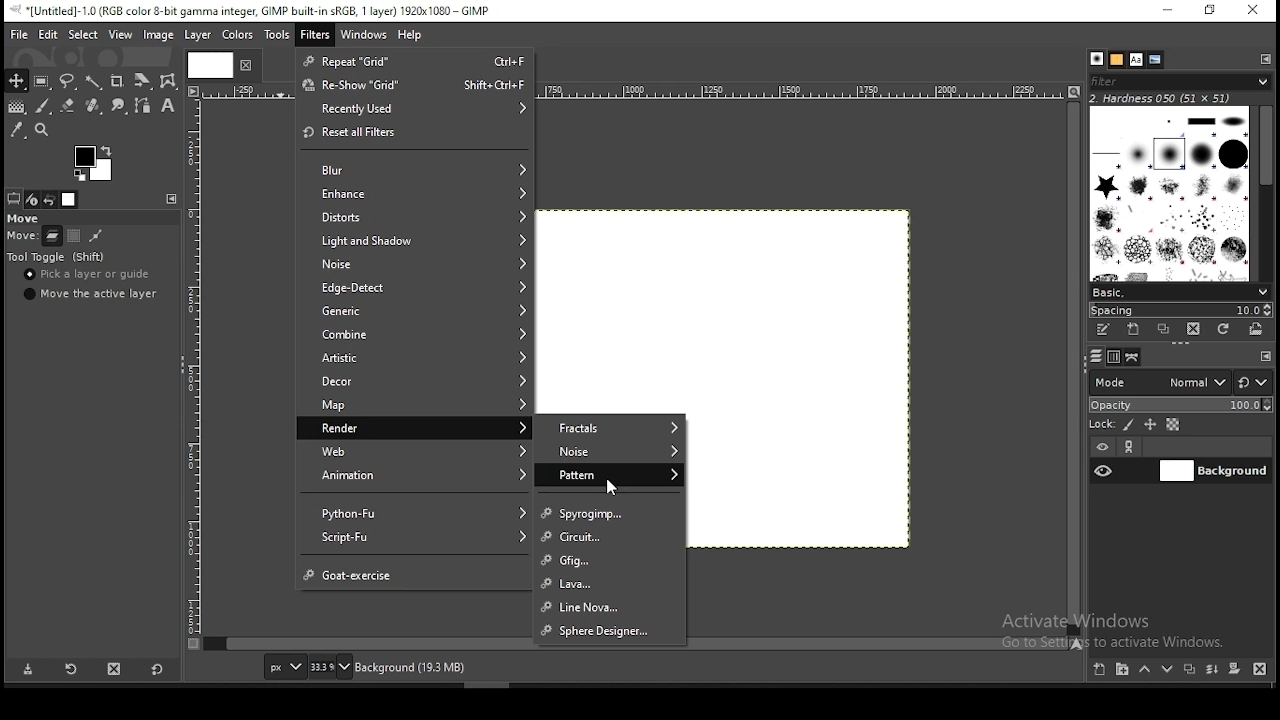  I want to click on enhance, so click(414, 192).